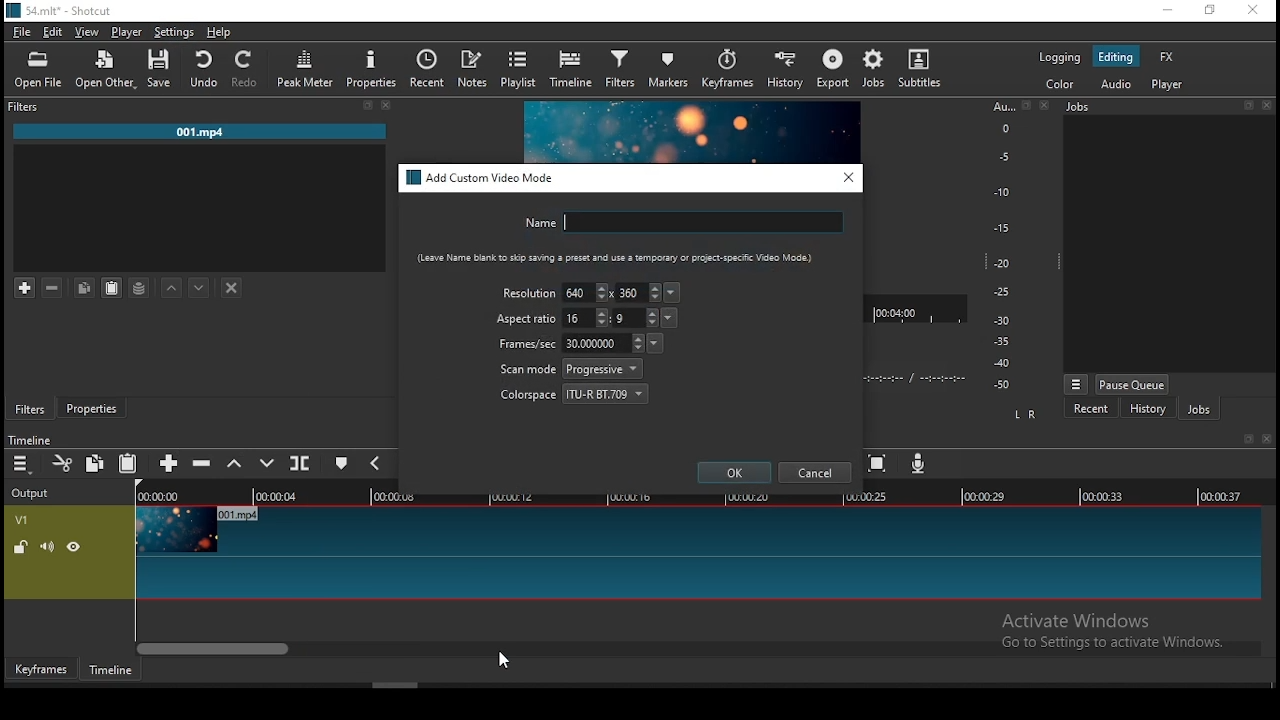  I want to click on cancel, so click(815, 473).